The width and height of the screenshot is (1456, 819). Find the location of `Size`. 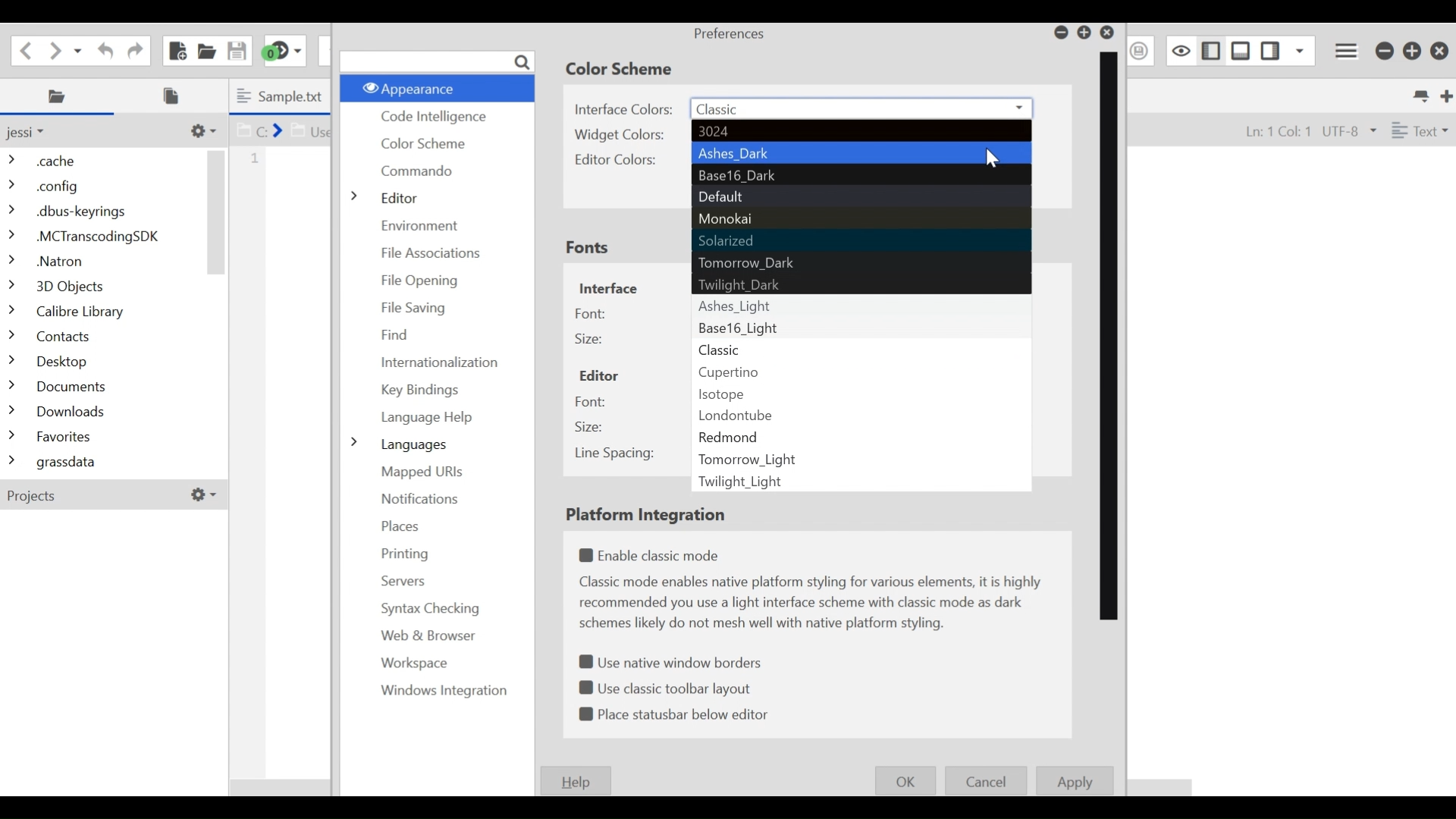

Size is located at coordinates (591, 428).